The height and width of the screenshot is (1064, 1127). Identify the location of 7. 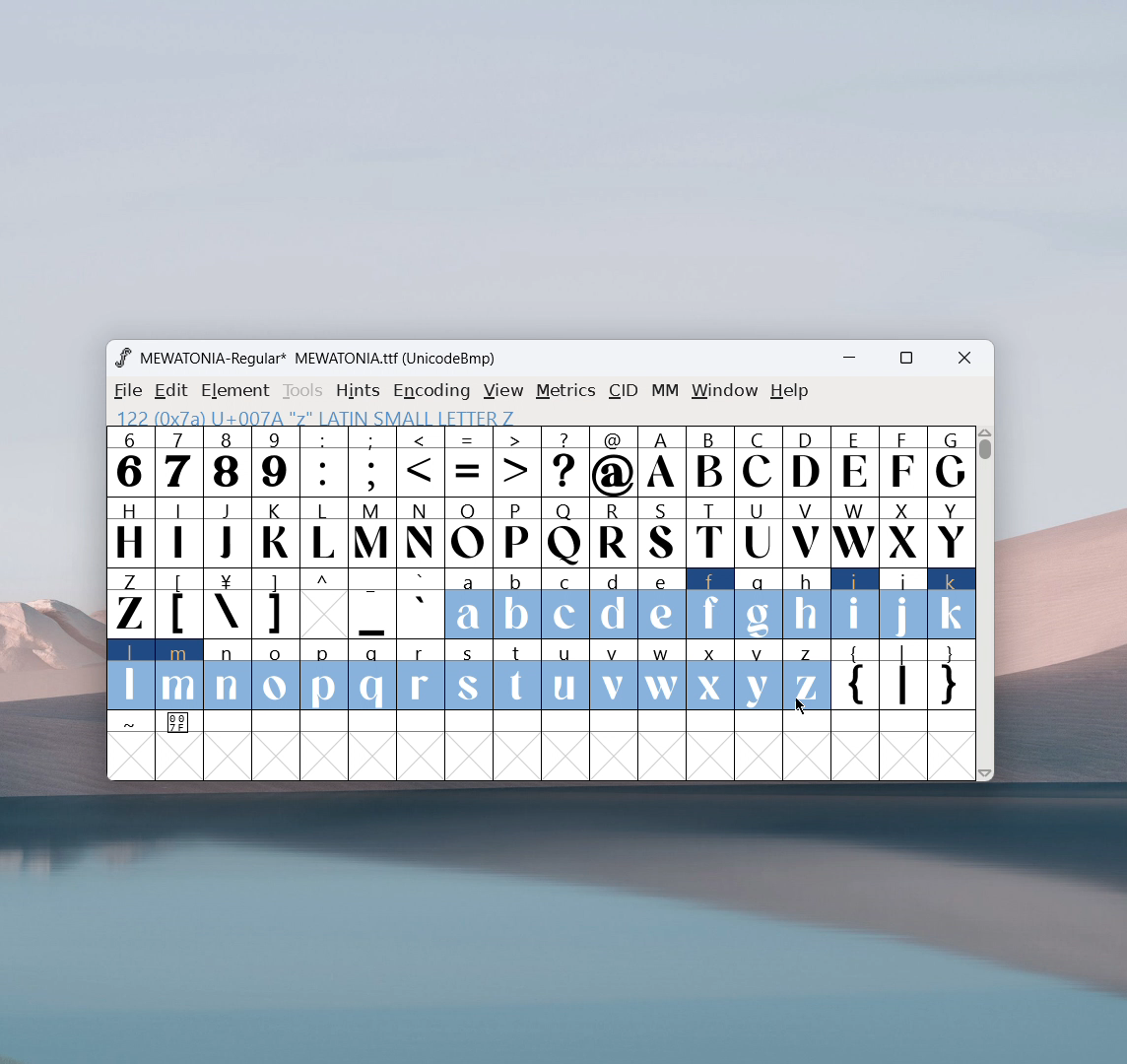
(177, 461).